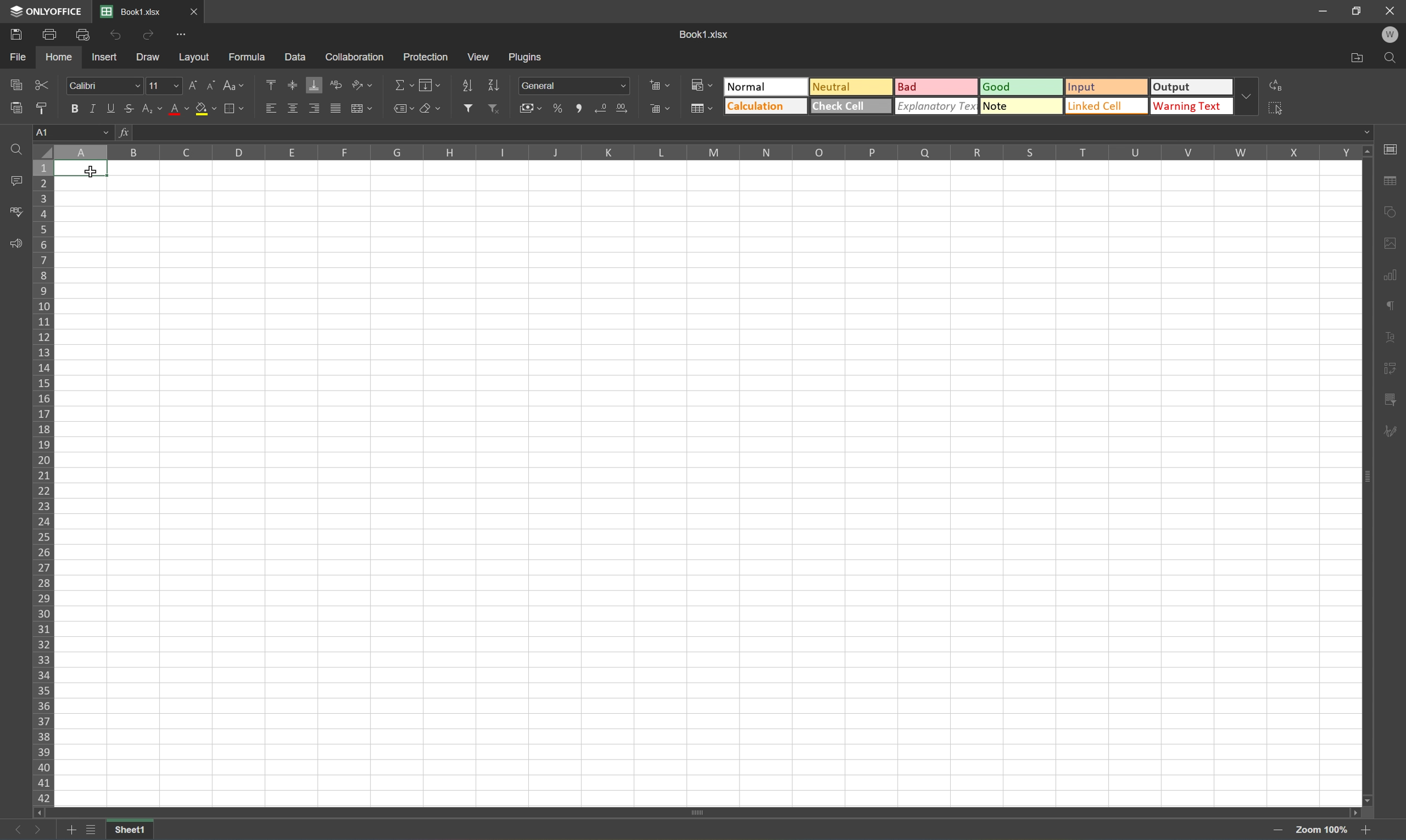  Describe the element at coordinates (493, 84) in the screenshot. I see `Sort descending` at that location.